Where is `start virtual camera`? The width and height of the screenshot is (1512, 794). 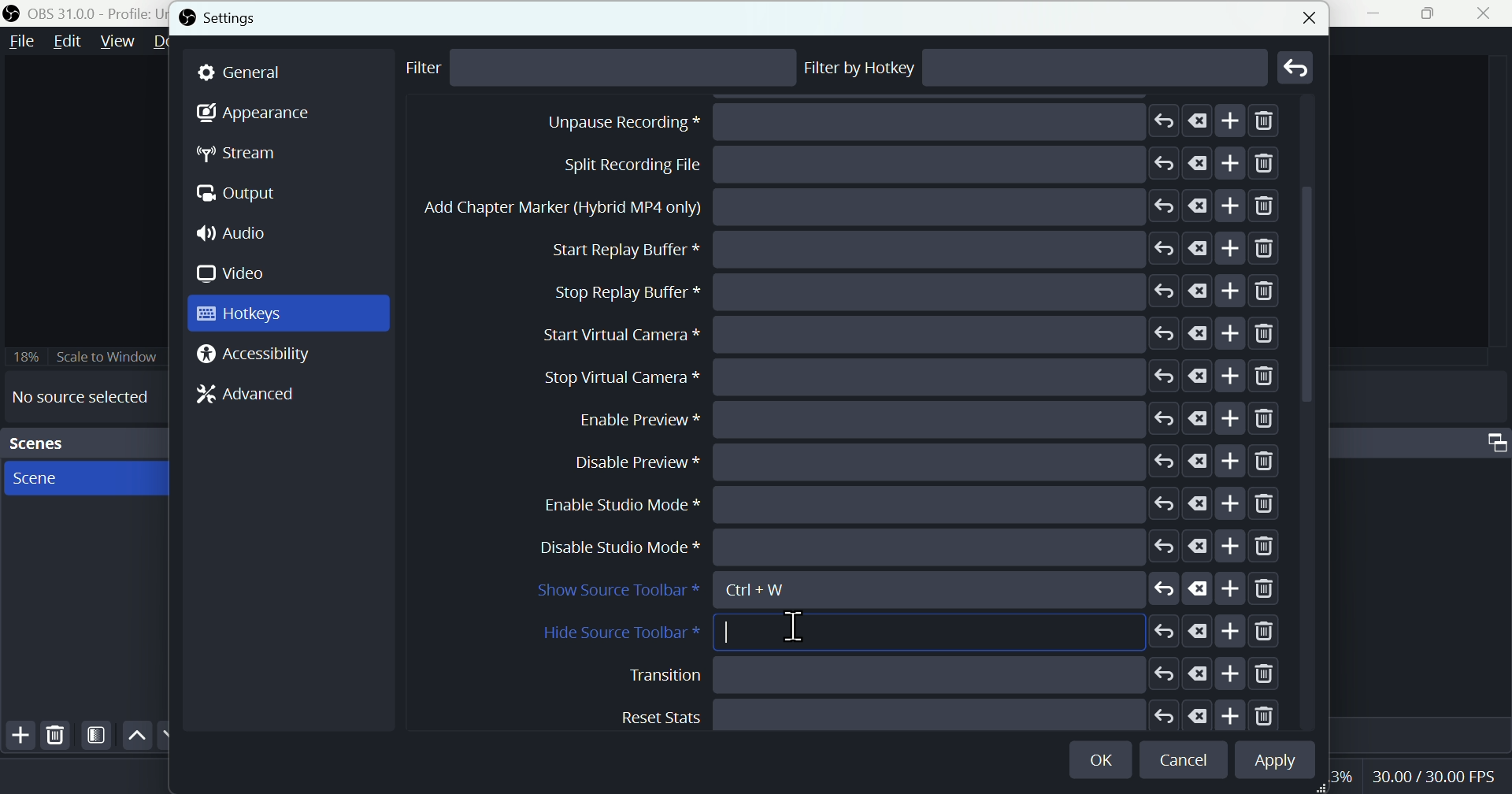
start virtual camera is located at coordinates (905, 504).